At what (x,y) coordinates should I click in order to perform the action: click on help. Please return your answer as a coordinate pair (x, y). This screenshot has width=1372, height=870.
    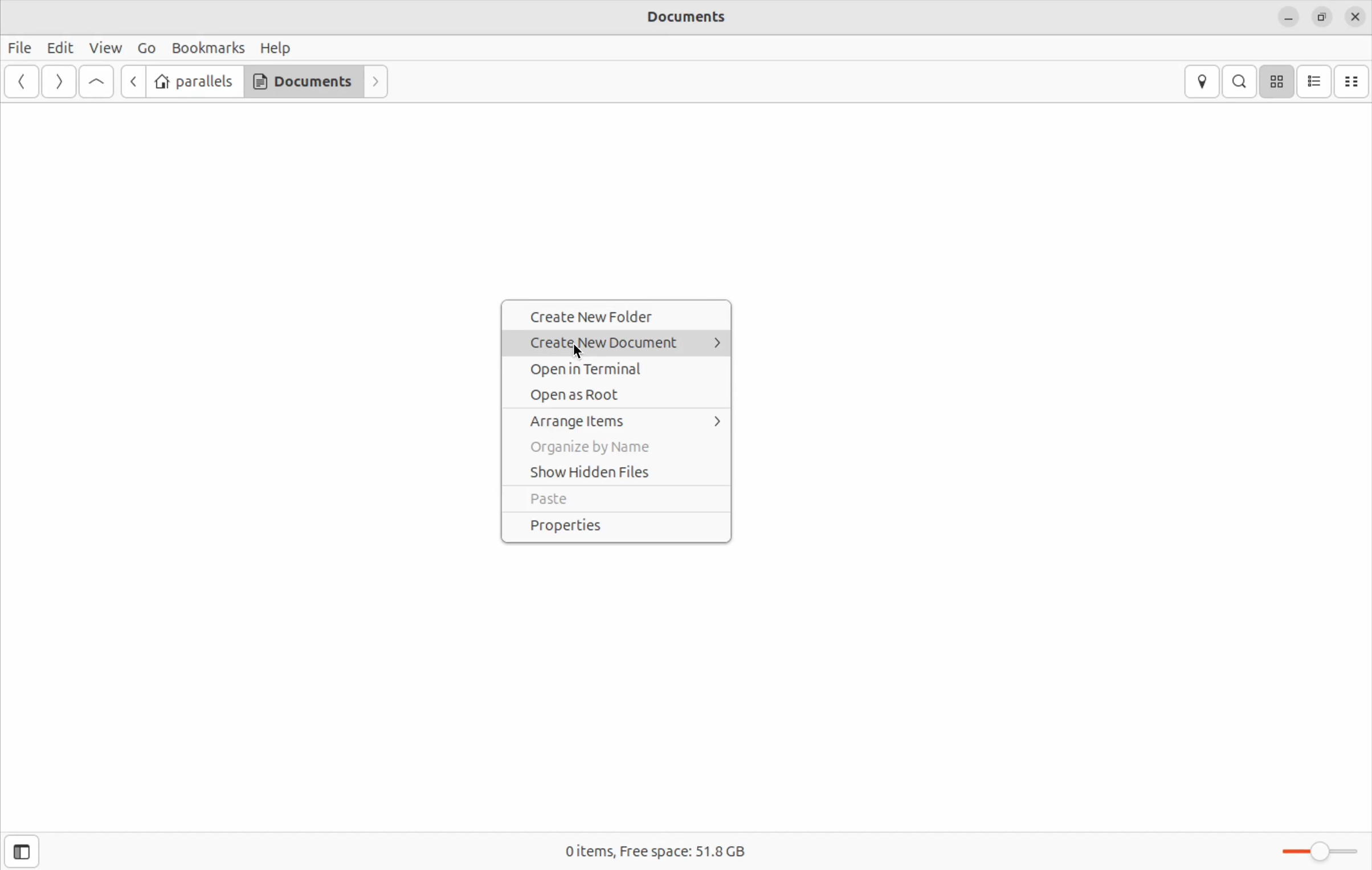
    Looking at the image, I should click on (276, 47).